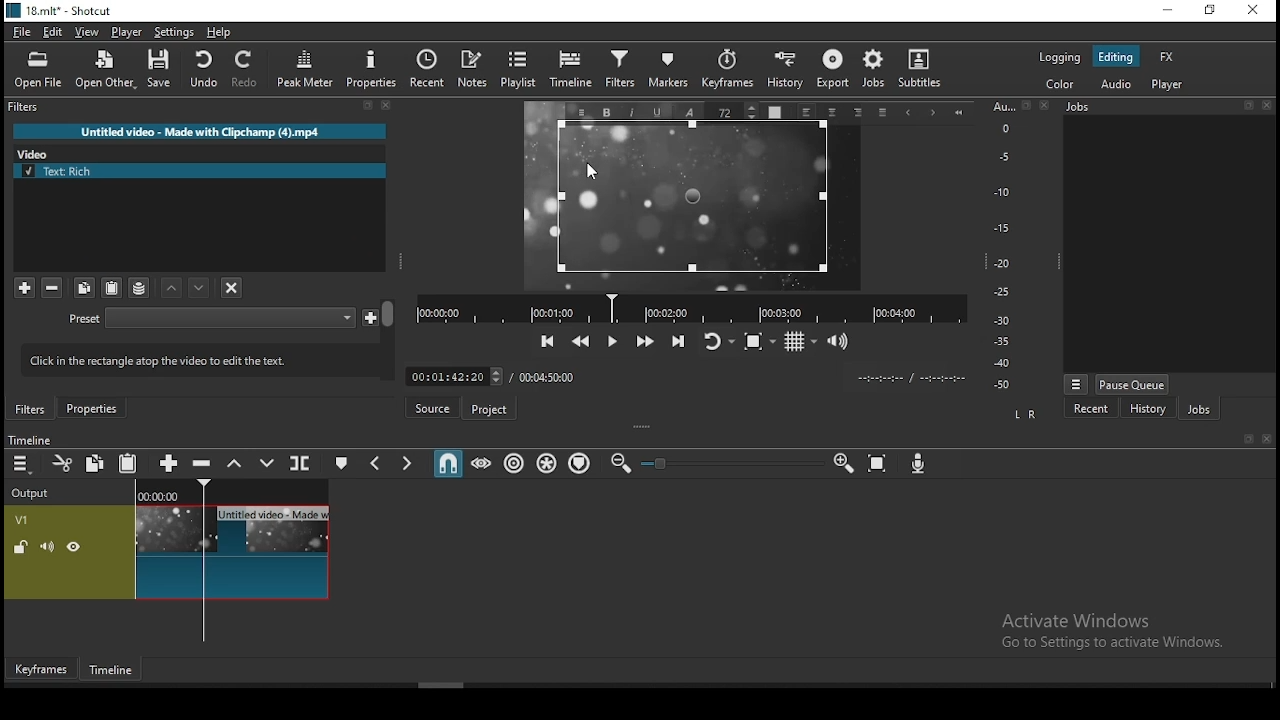 The image size is (1280, 720). What do you see at coordinates (201, 287) in the screenshot?
I see `move filter up` at bounding box center [201, 287].